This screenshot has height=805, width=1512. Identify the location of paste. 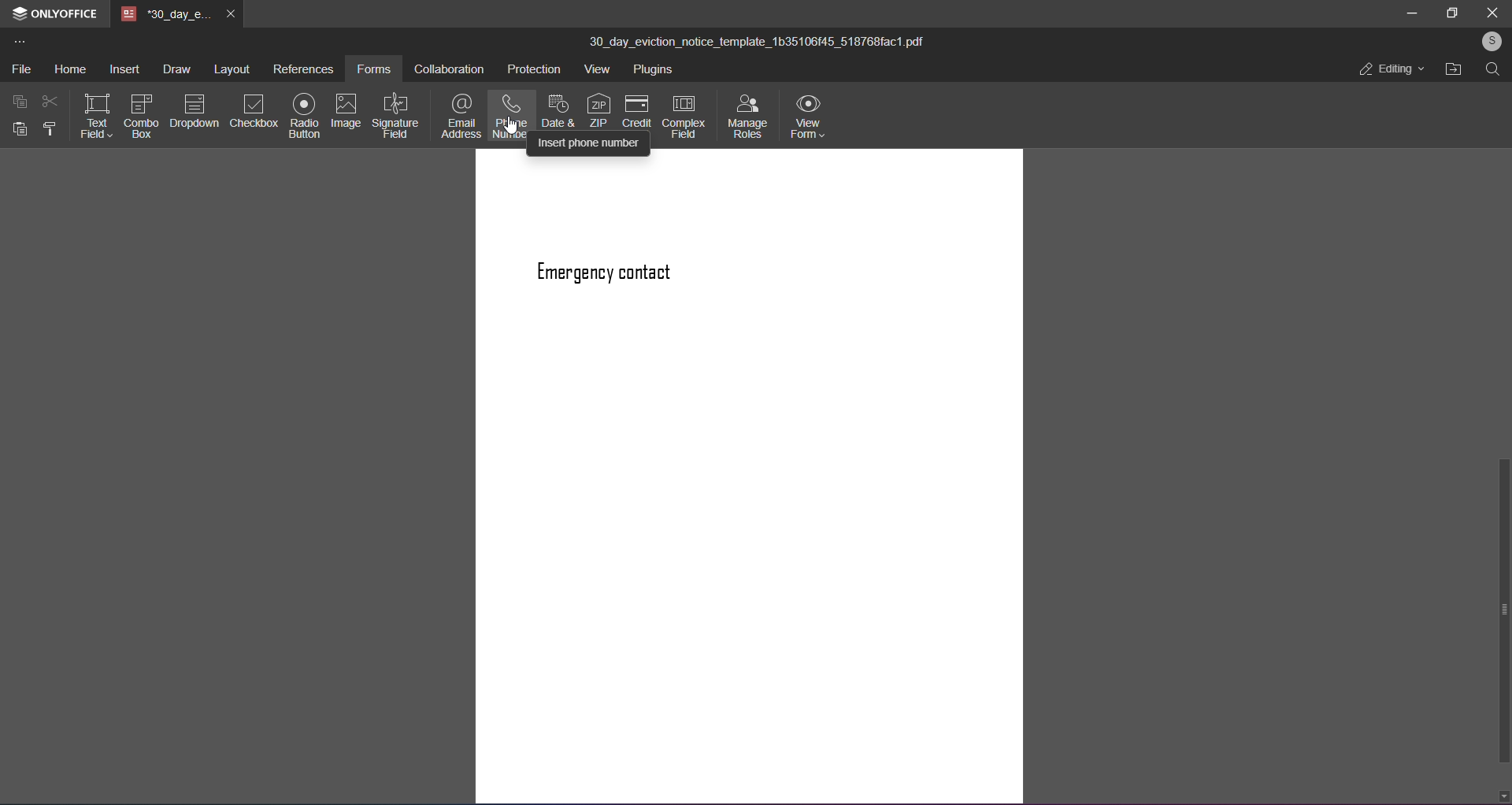
(21, 131).